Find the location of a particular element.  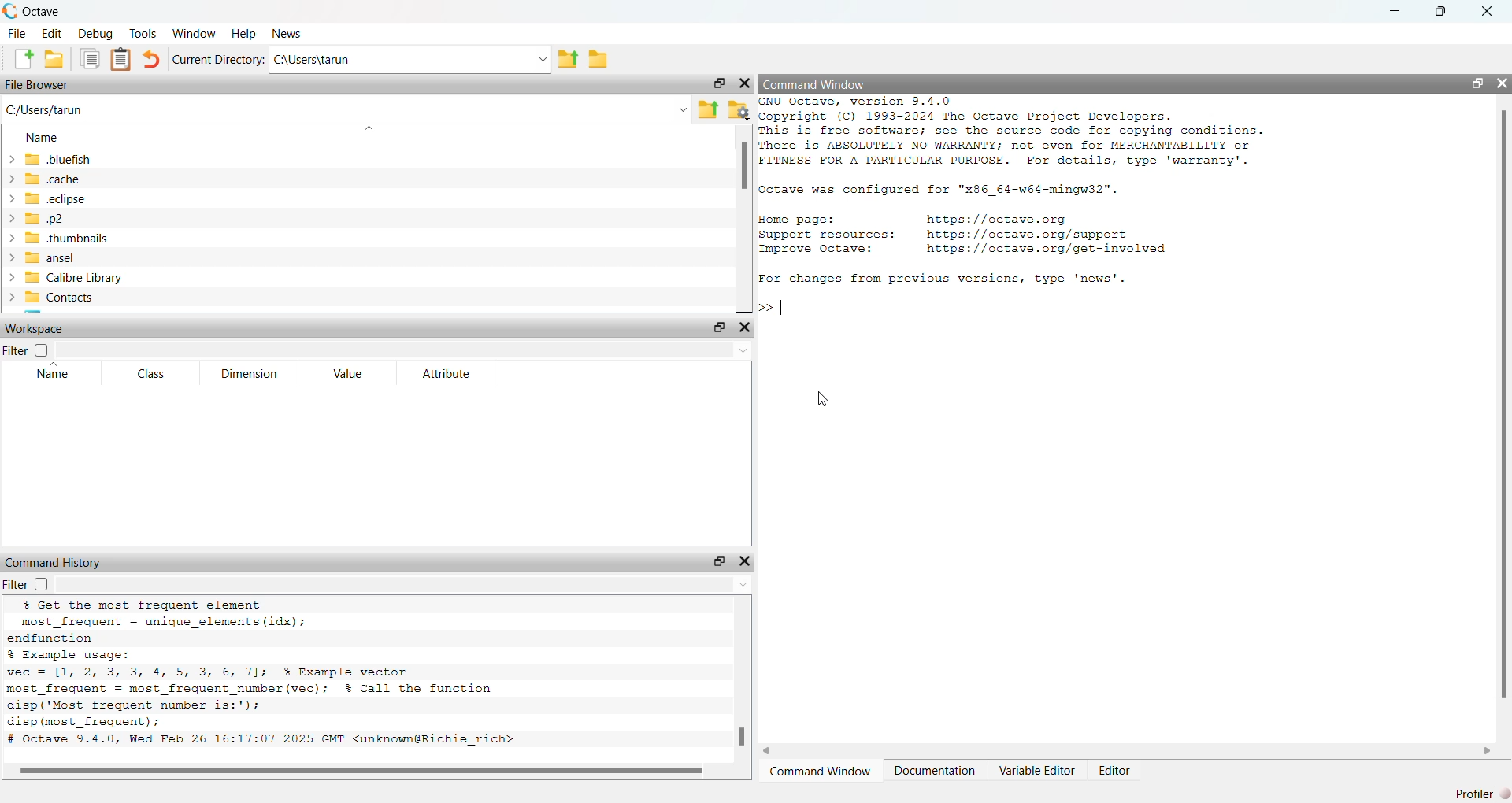

Undock Widget is located at coordinates (719, 83).